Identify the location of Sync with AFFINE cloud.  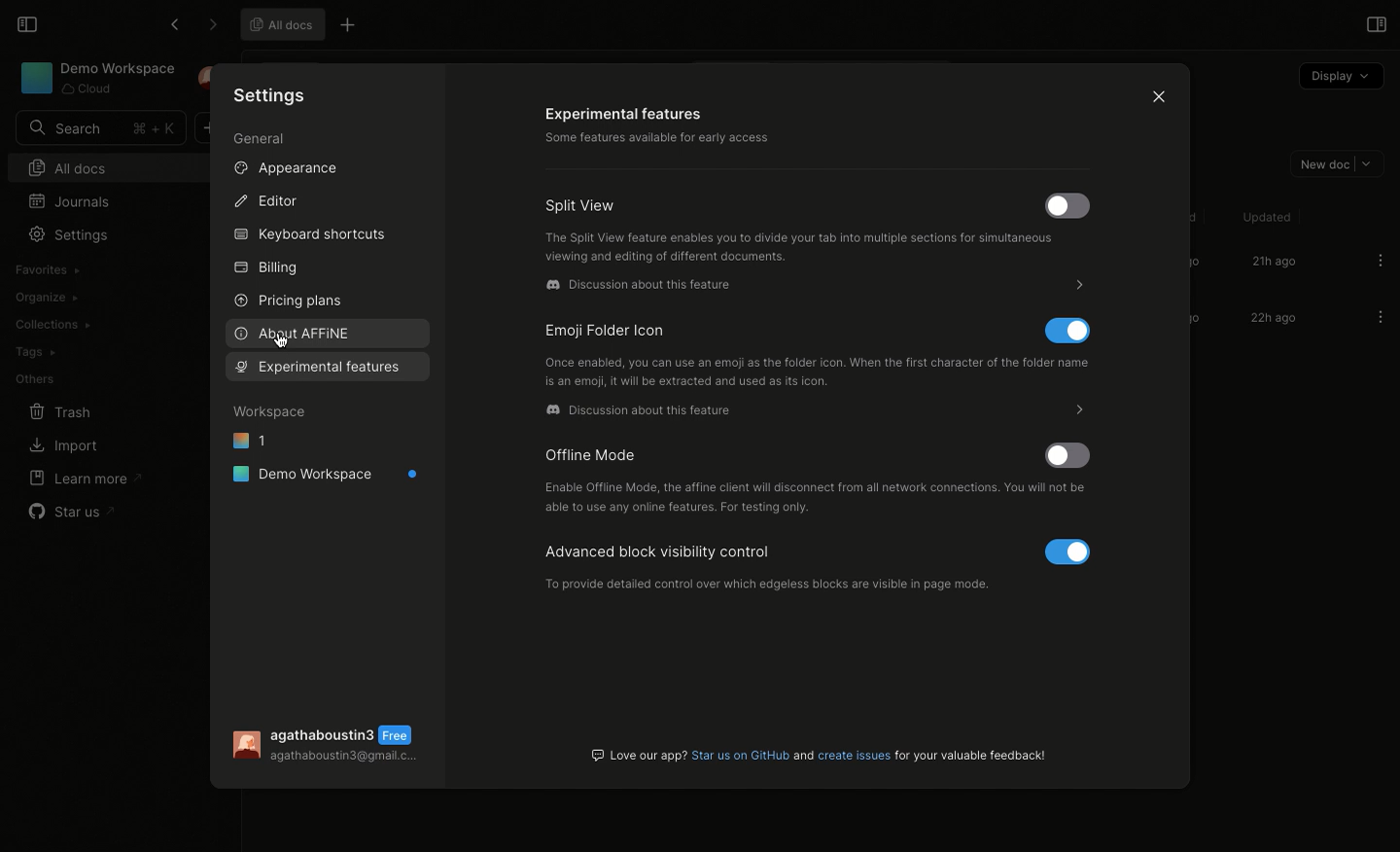
(819, 378).